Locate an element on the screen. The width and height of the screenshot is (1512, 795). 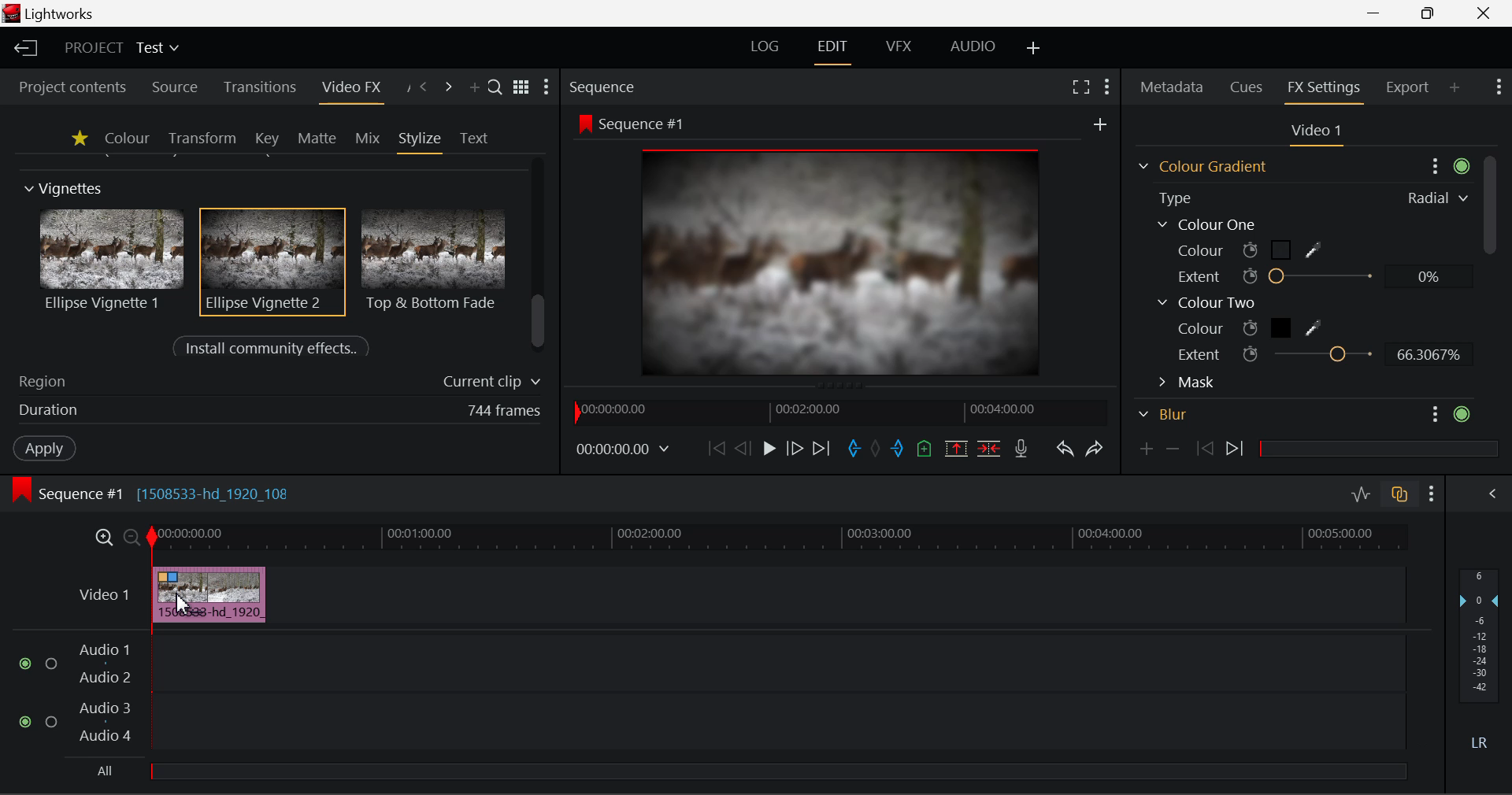
Full Screen is located at coordinates (1080, 87).